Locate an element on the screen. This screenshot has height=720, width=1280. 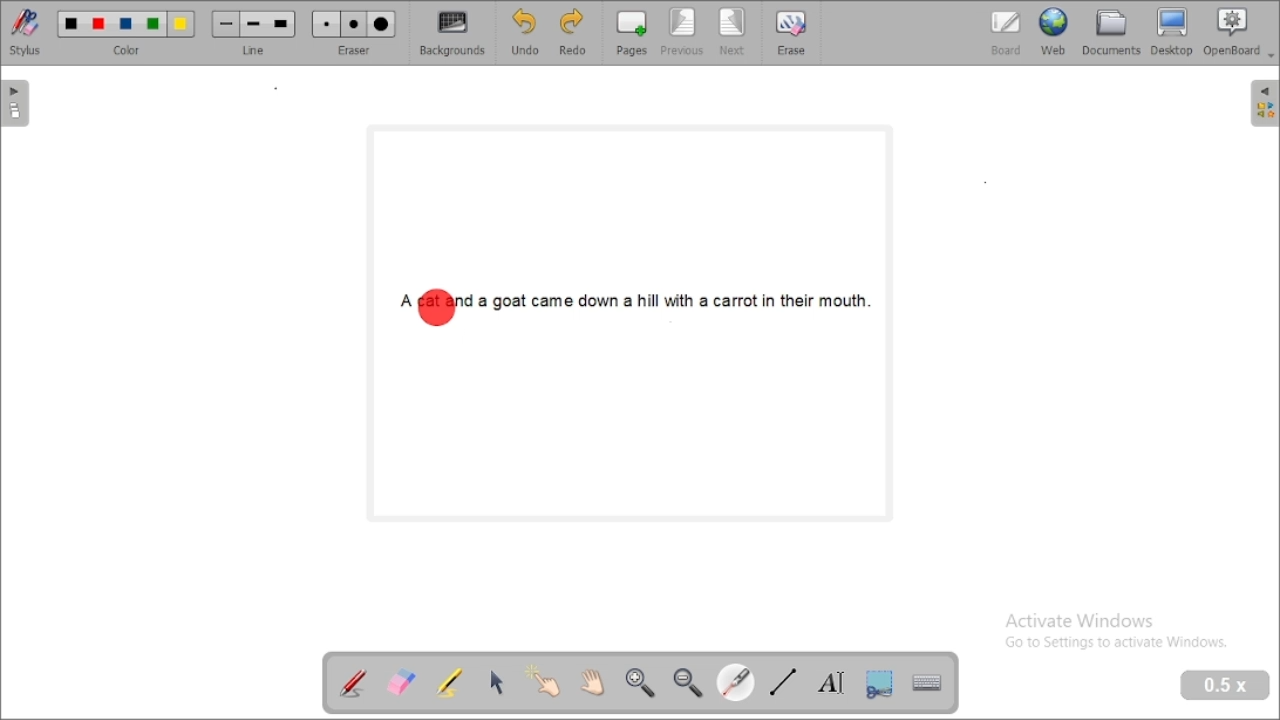
draw lines is located at coordinates (784, 681).